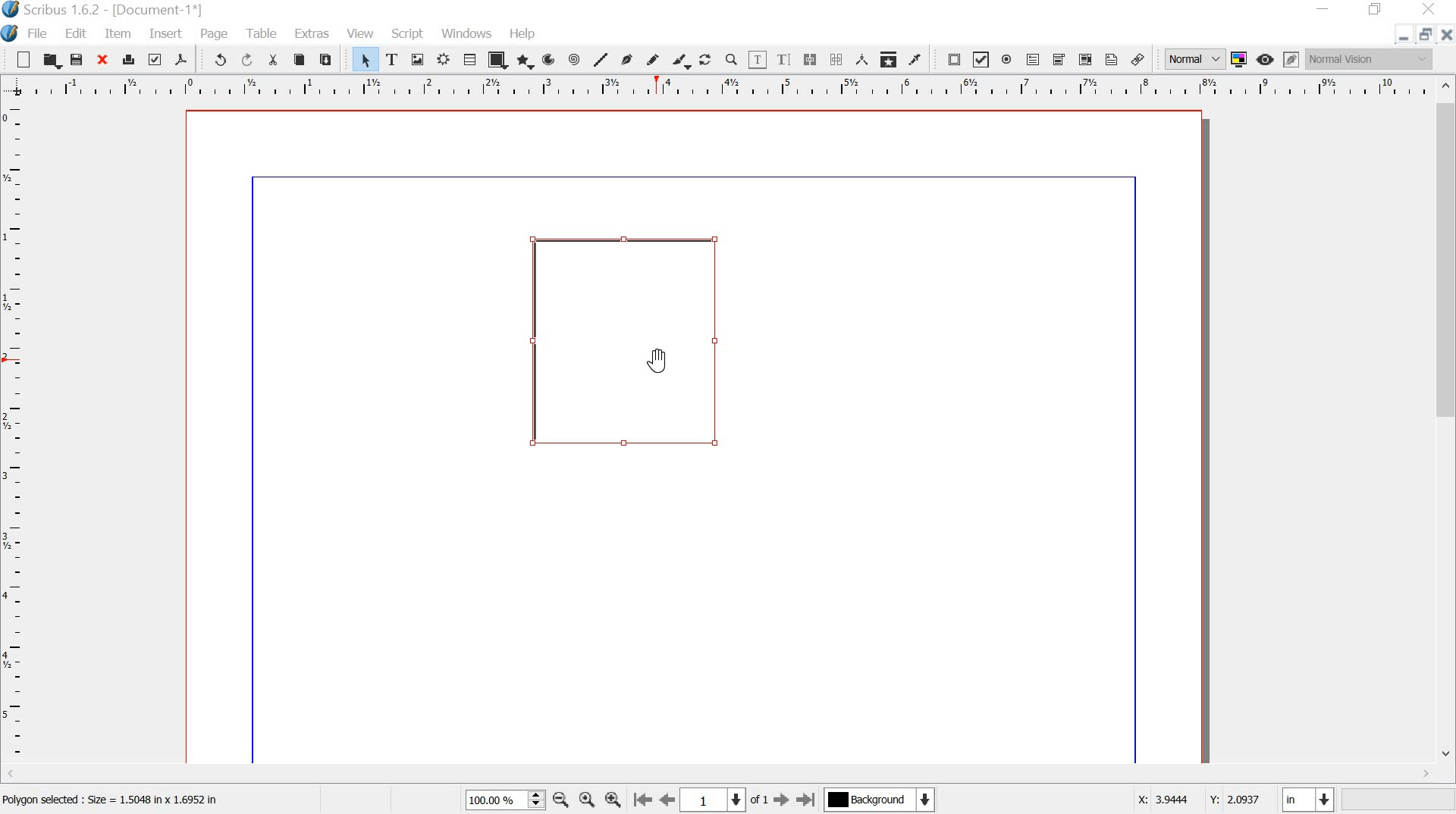 The width and height of the screenshot is (1456, 814). What do you see at coordinates (313, 33) in the screenshot?
I see `extras` at bounding box center [313, 33].